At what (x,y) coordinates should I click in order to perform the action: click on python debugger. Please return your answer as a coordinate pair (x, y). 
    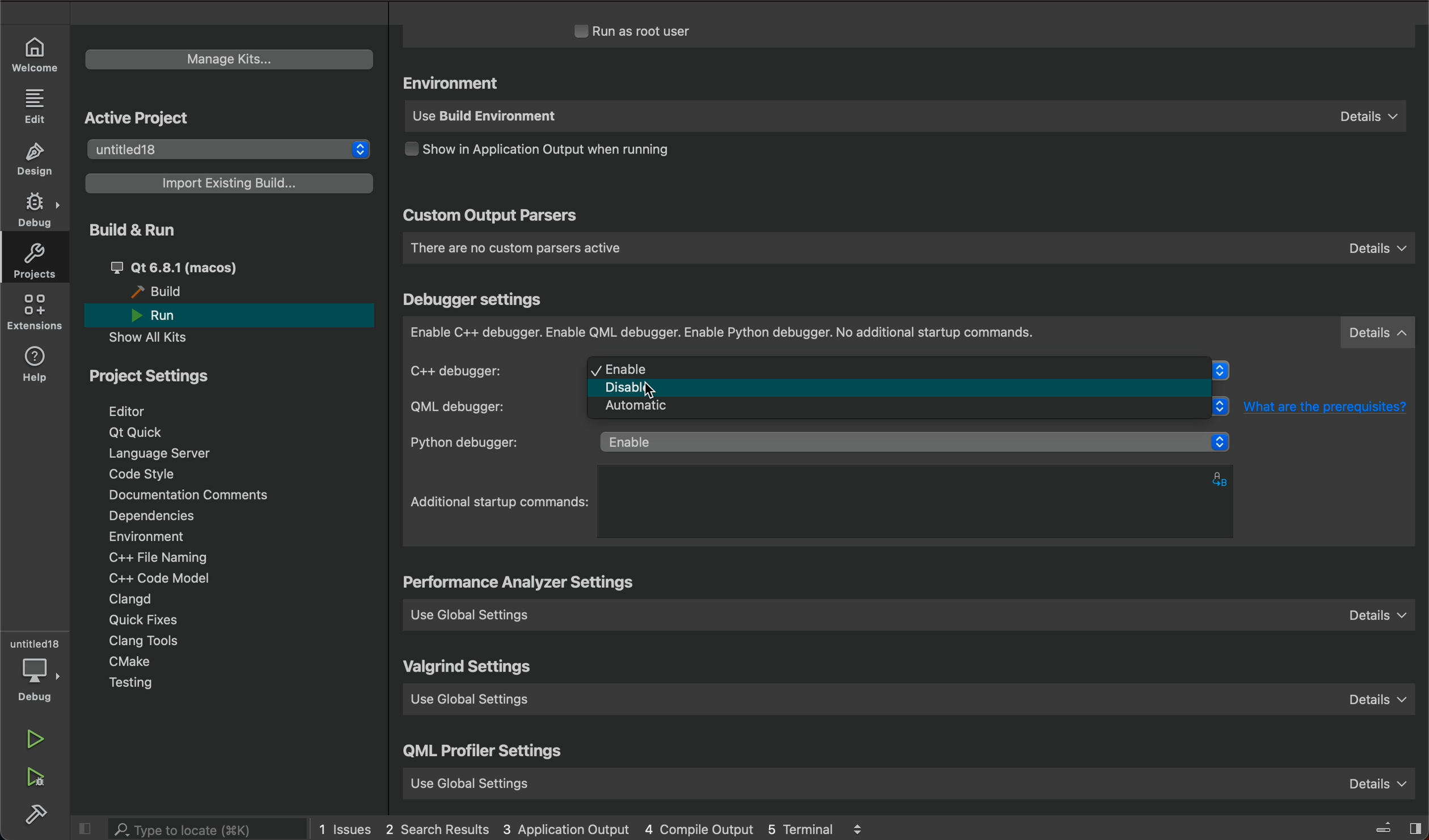
    Looking at the image, I should click on (824, 443).